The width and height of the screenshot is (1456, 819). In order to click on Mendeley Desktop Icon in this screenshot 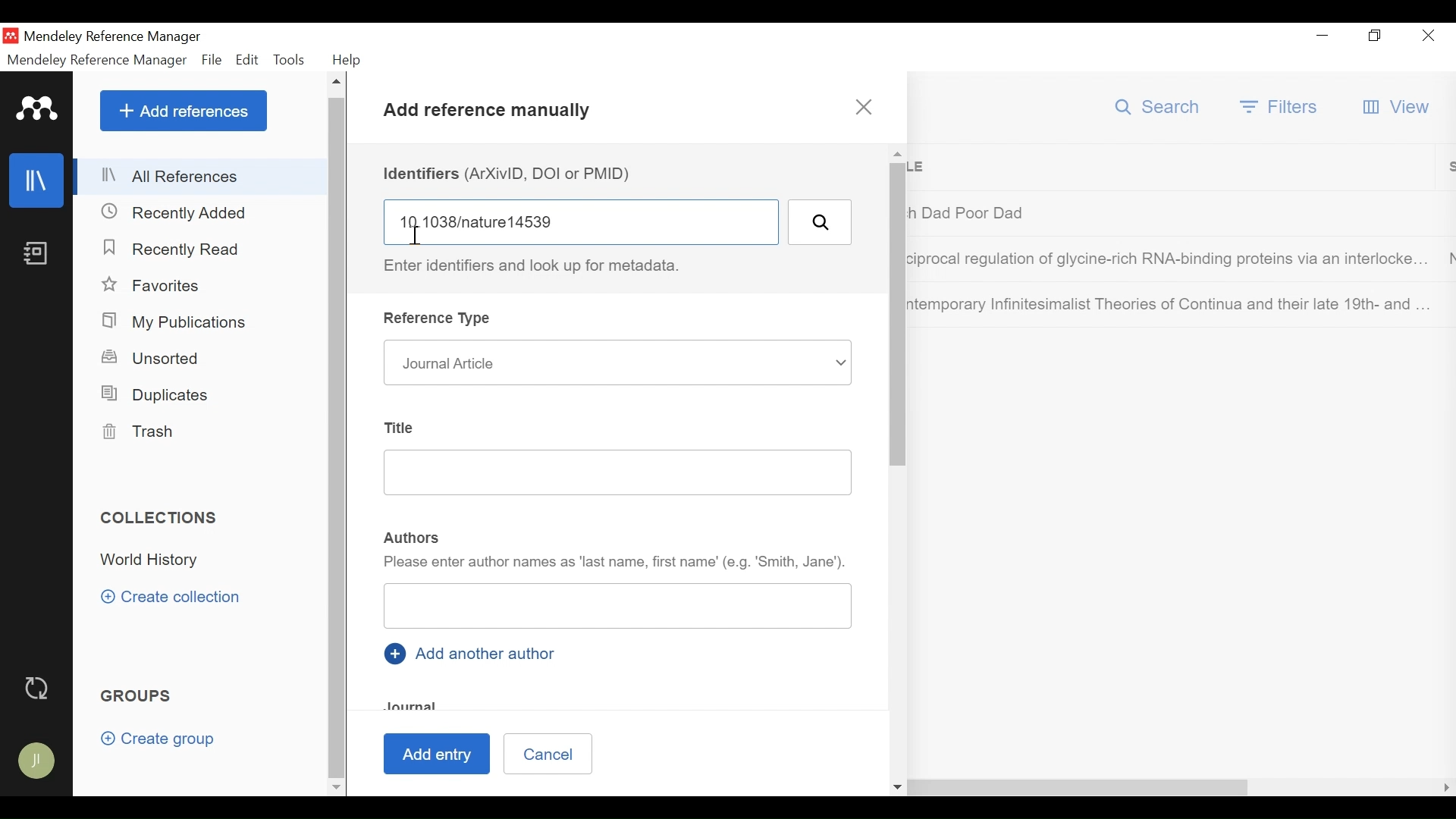, I will do `click(11, 35)`.